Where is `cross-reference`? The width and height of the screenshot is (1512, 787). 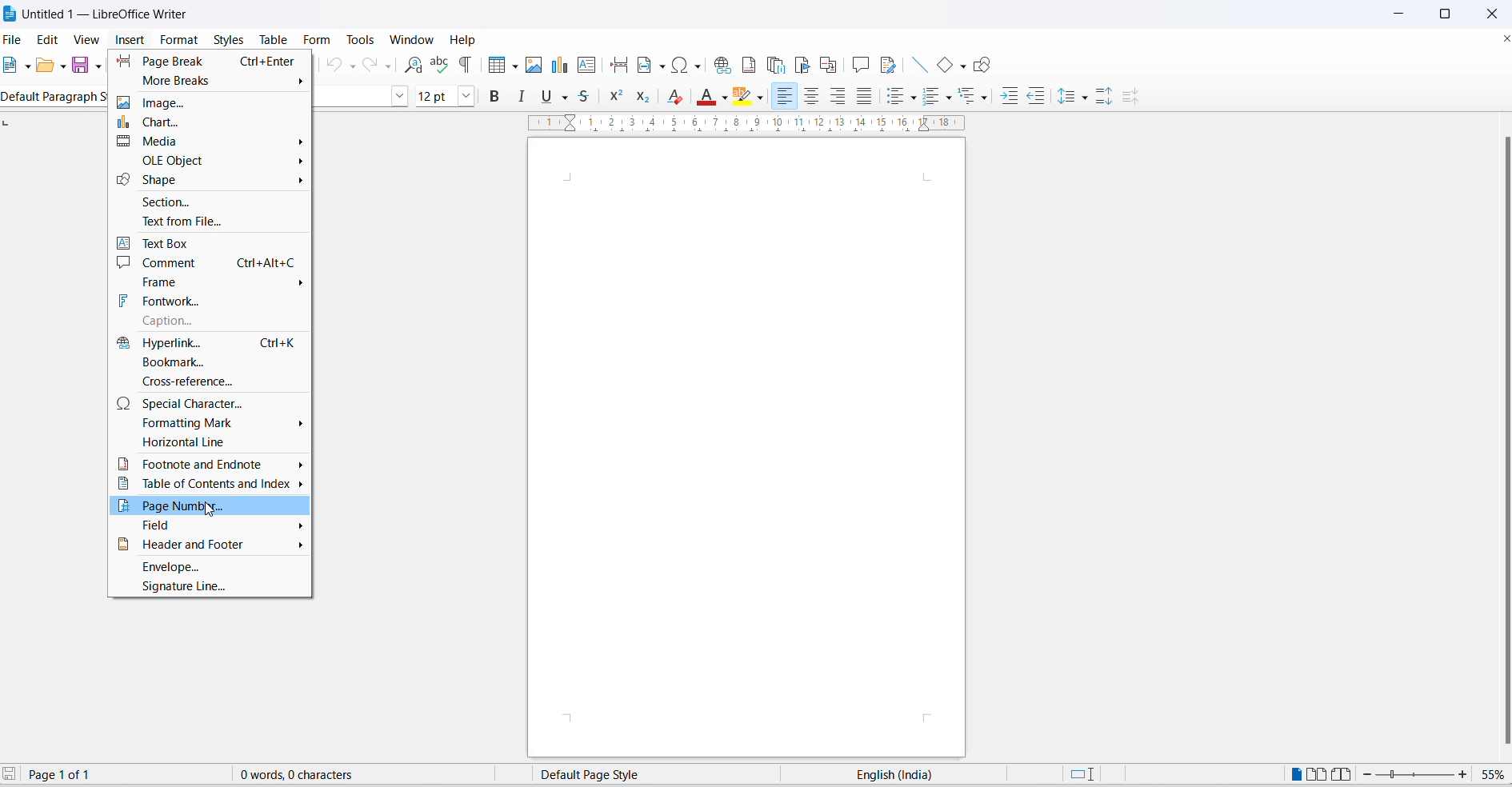 cross-reference is located at coordinates (211, 385).